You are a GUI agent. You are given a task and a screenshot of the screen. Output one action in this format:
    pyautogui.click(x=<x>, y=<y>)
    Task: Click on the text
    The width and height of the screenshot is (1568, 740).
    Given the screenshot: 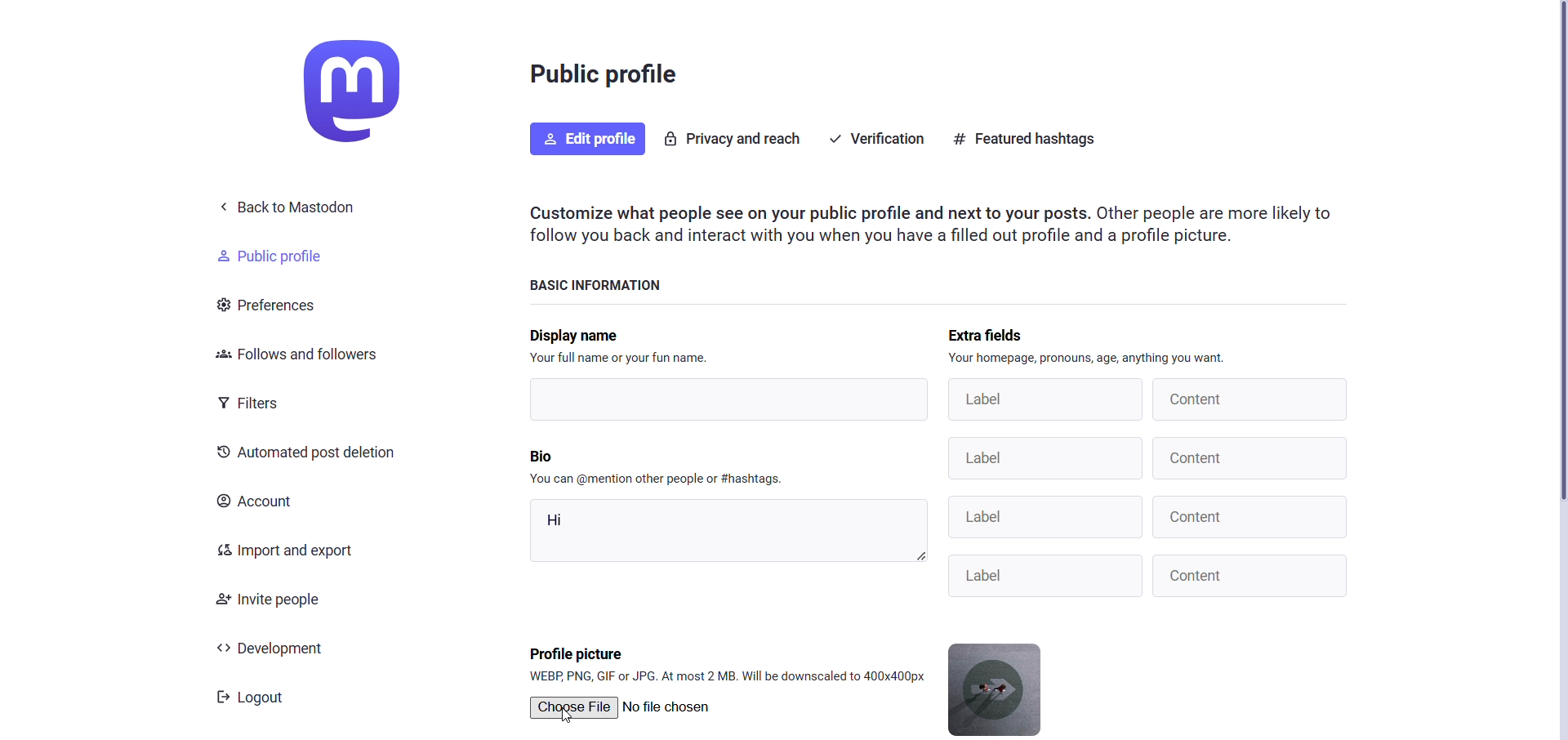 What is the action you would take?
    pyautogui.click(x=621, y=359)
    